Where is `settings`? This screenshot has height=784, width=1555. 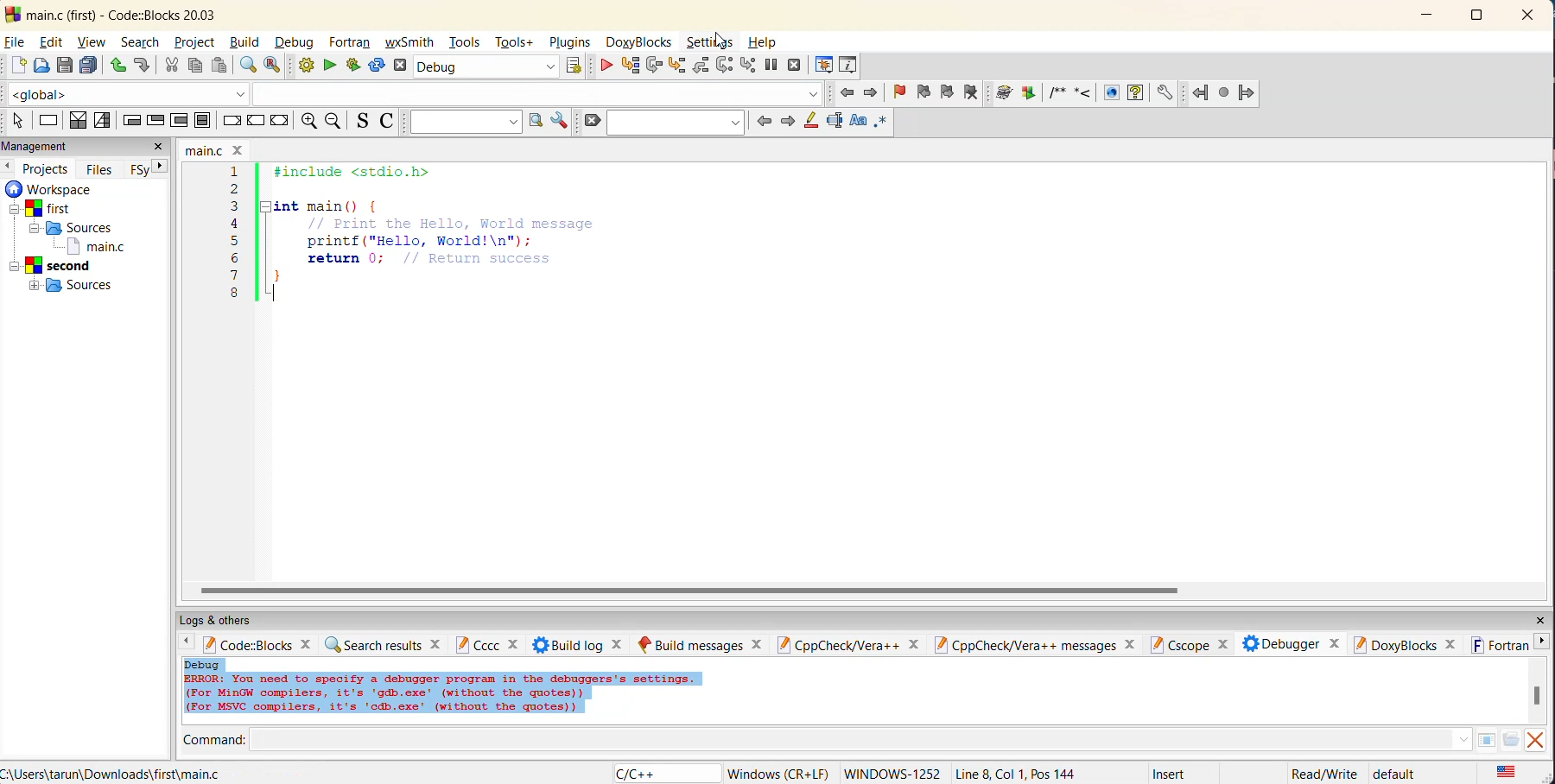 settings is located at coordinates (715, 41).